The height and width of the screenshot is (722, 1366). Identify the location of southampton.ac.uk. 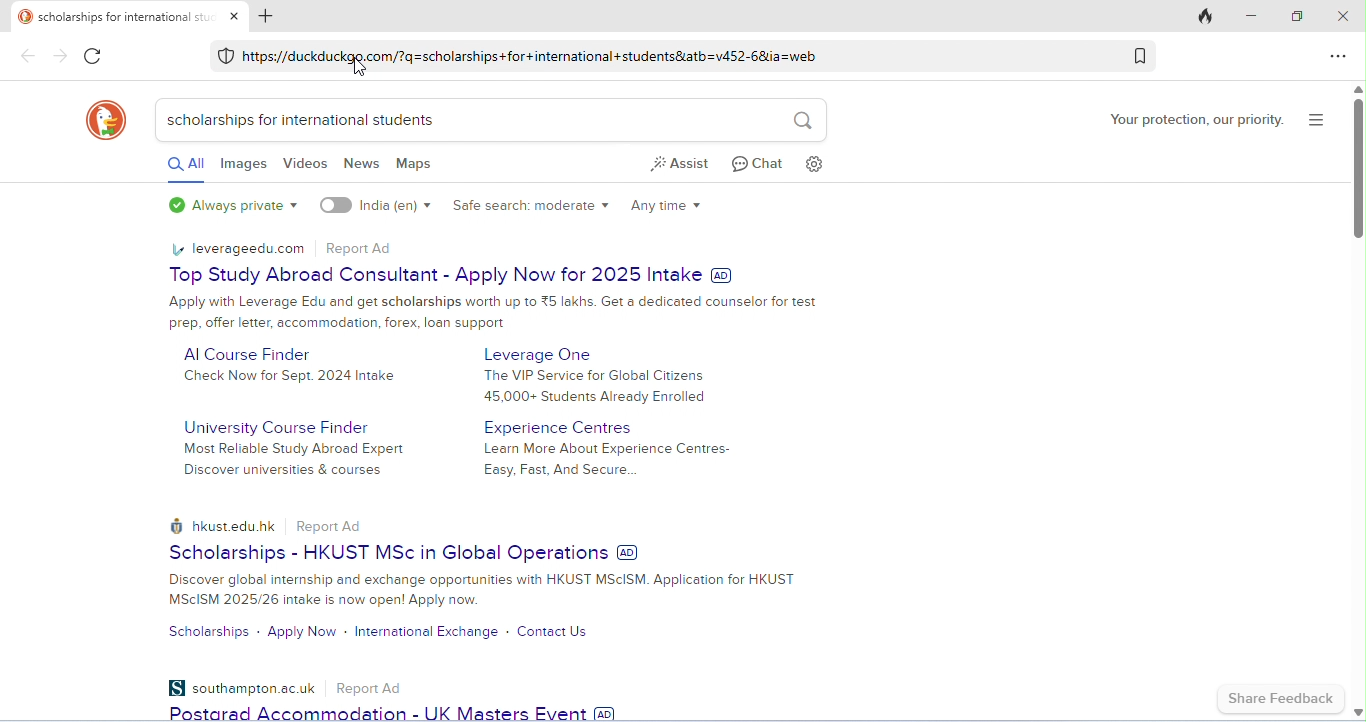
(241, 686).